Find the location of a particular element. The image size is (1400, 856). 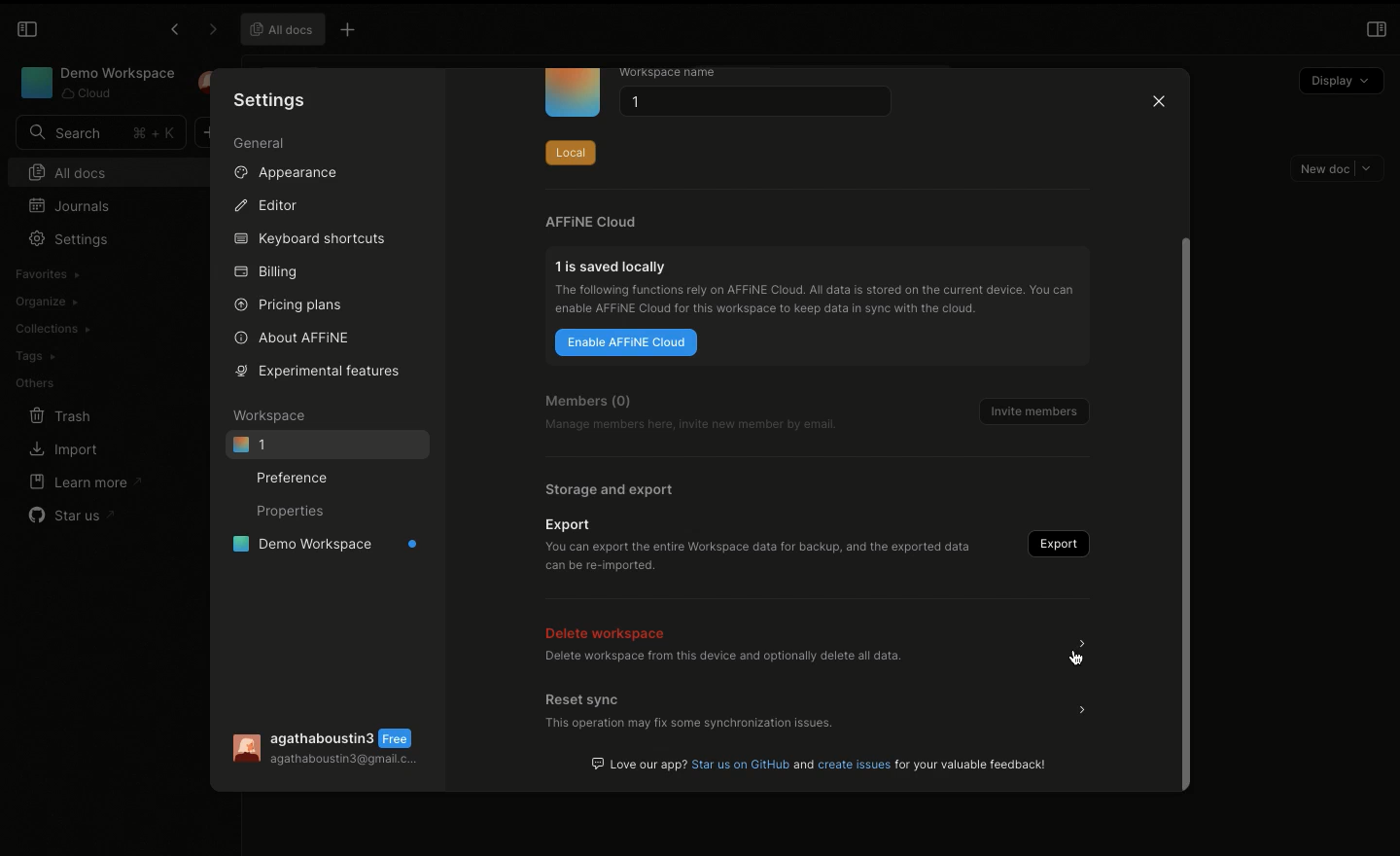

All docs is located at coordinates (283, 29).